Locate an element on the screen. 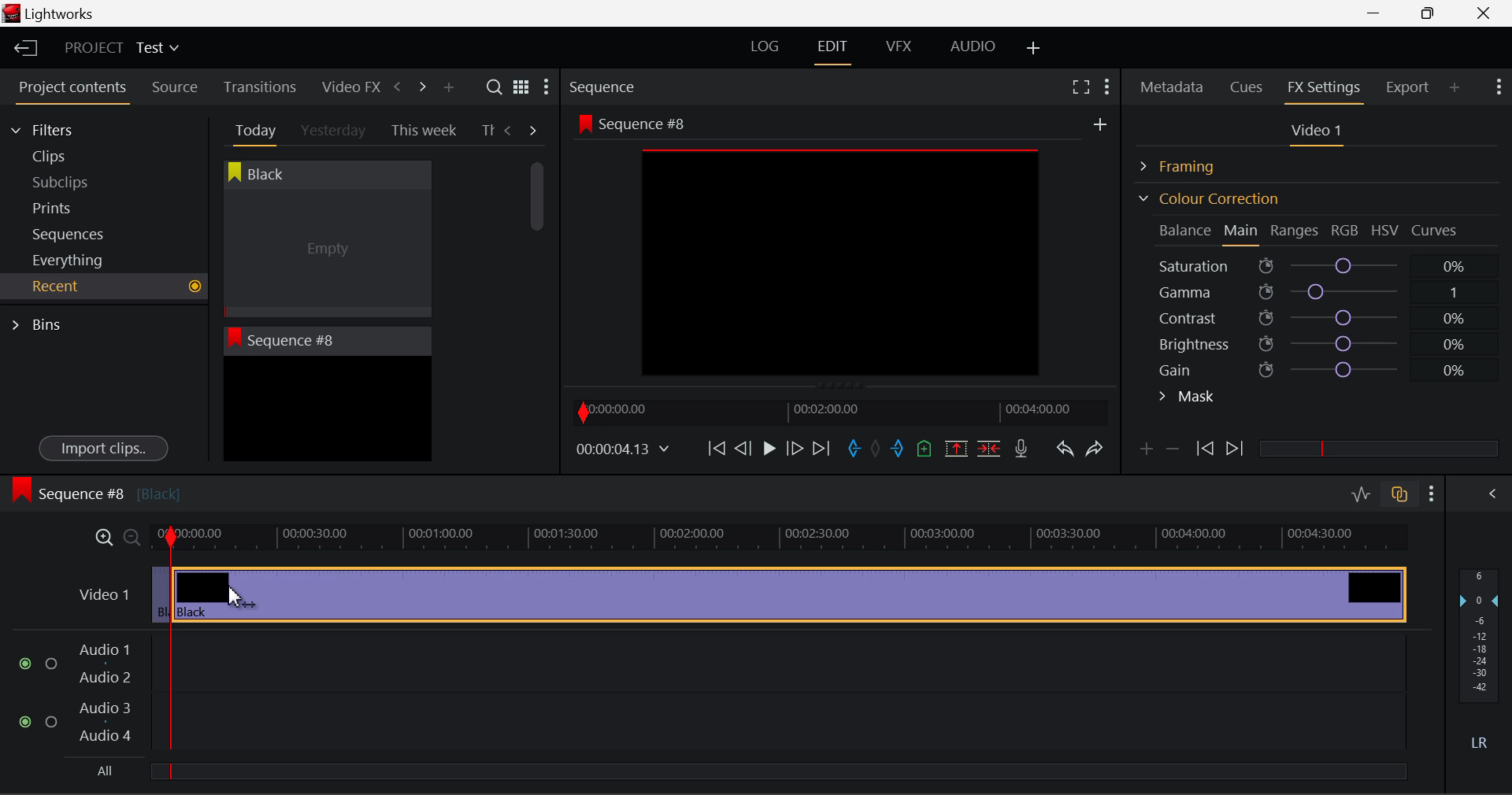  Toggle audio track sync is located at coordinates (1400, 493).